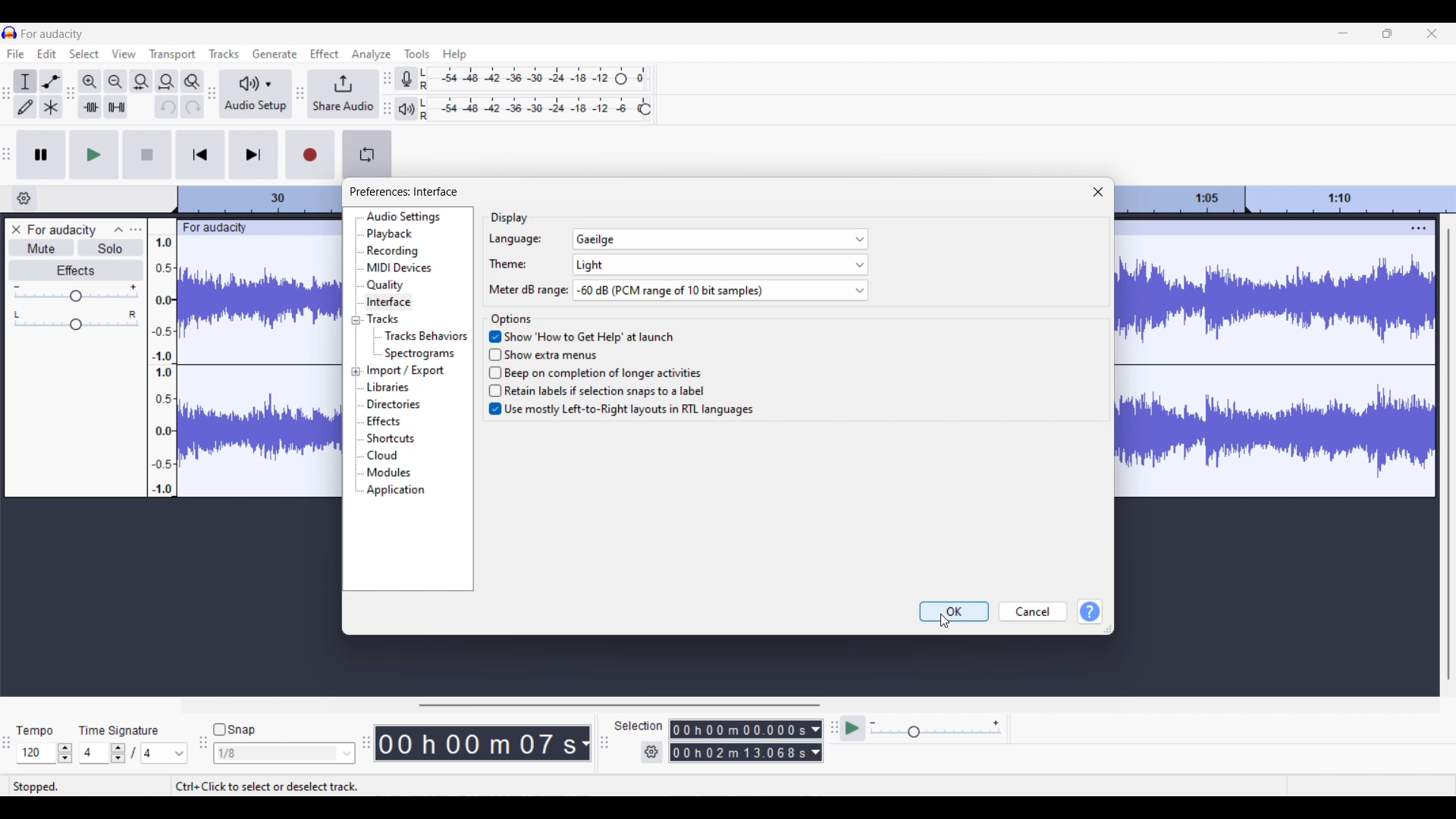  I want to click on Stop, so click(149, 155).